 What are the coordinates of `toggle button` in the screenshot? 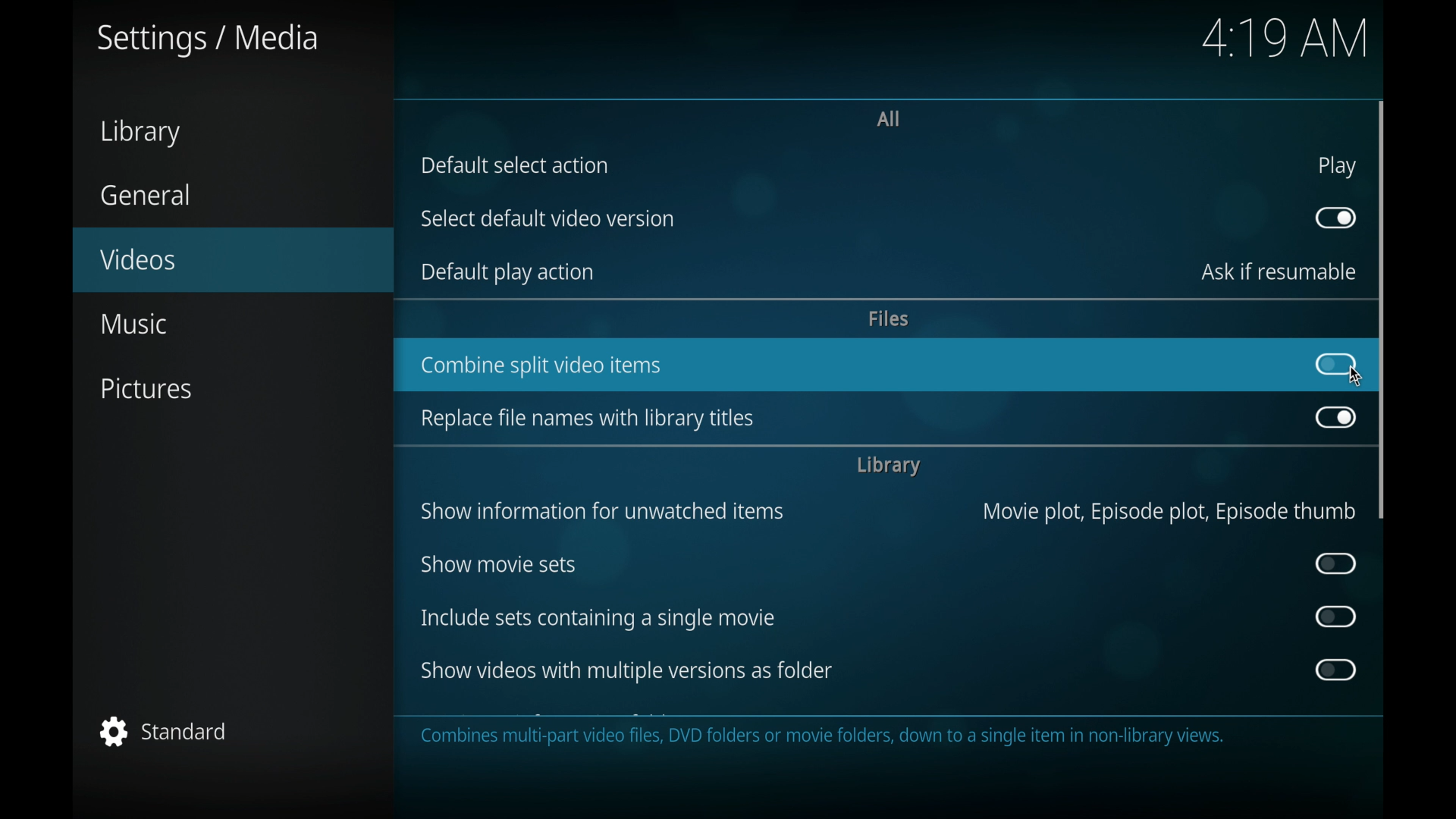 It's located at (1337, 218).